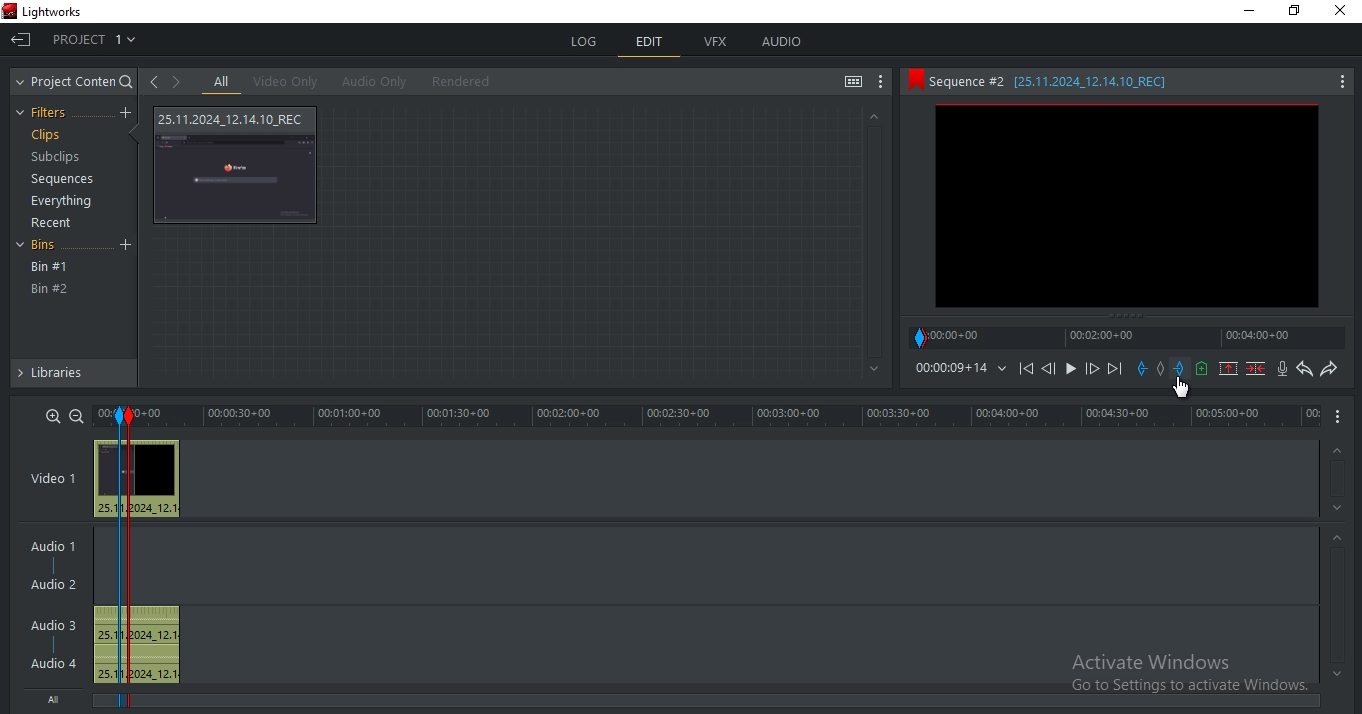  I want to click on Close, so click(1342, 14).